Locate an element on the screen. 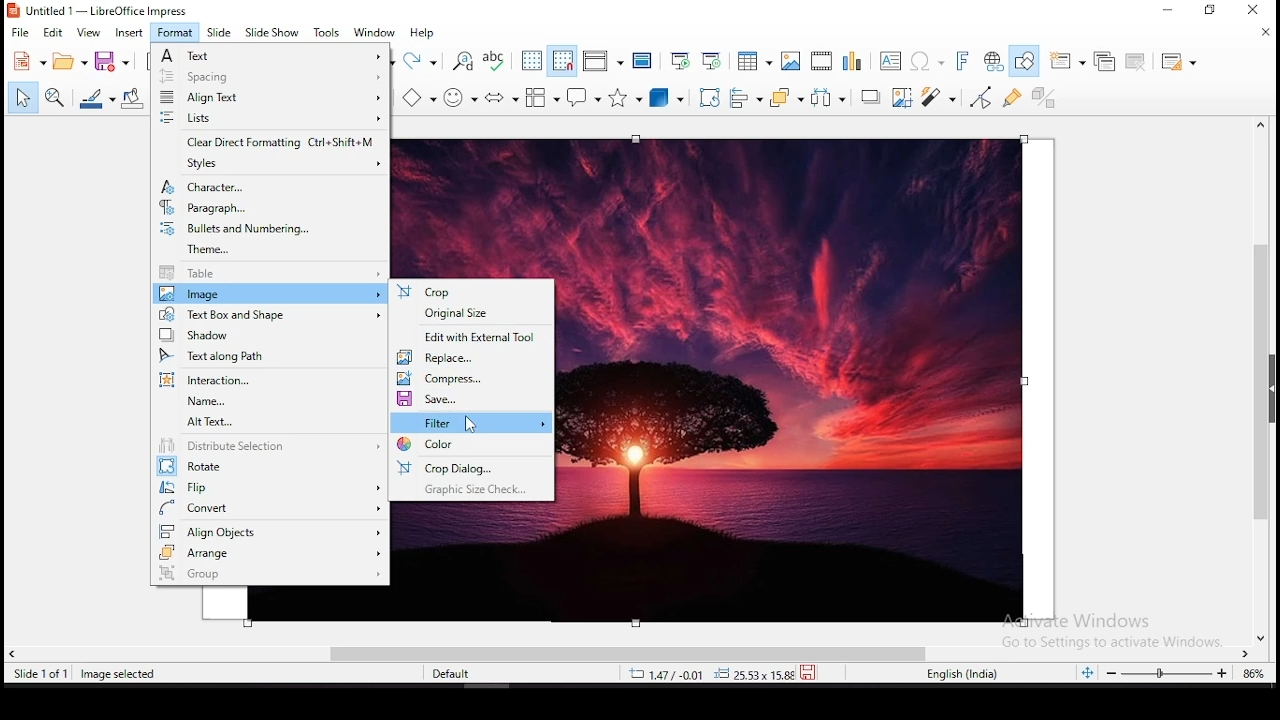  slide is located at coordinates (220, 32).